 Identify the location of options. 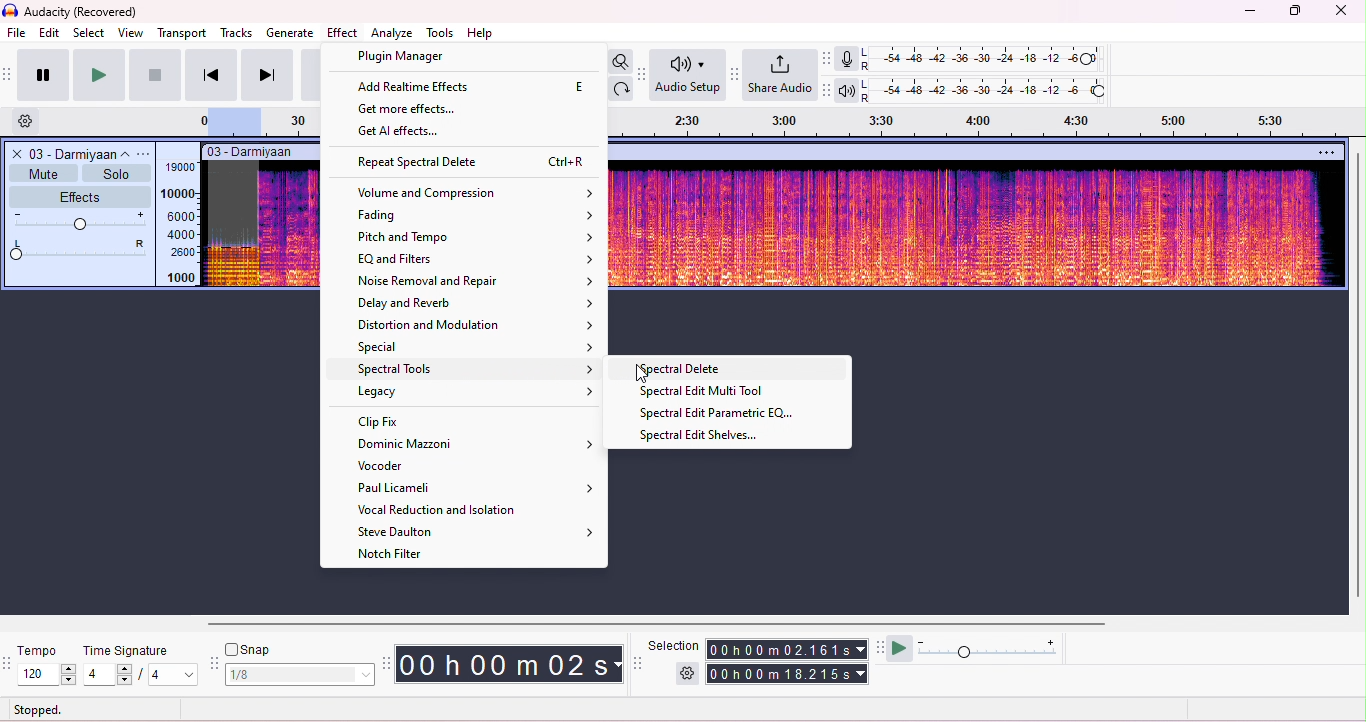
(1325, 152).